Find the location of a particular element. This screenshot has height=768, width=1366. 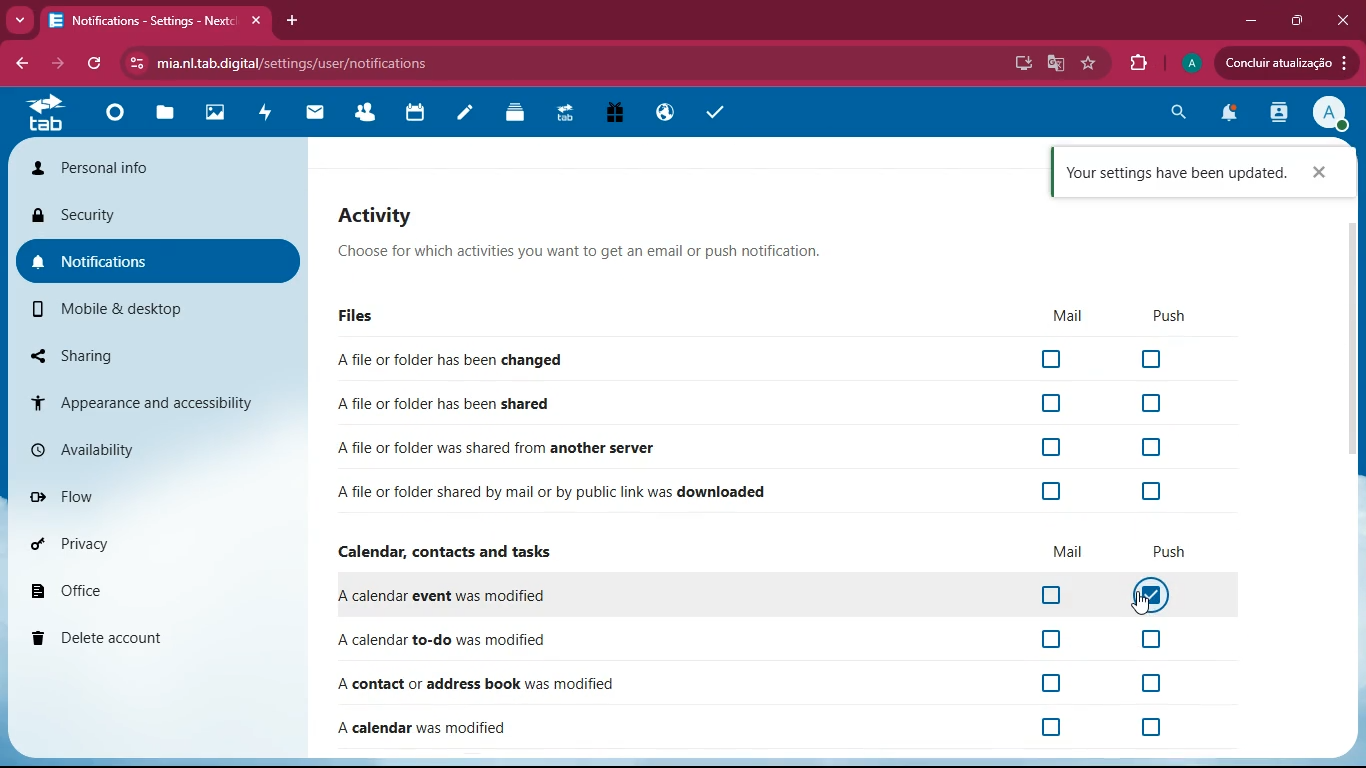

off is located at coordinates (1155, 595).